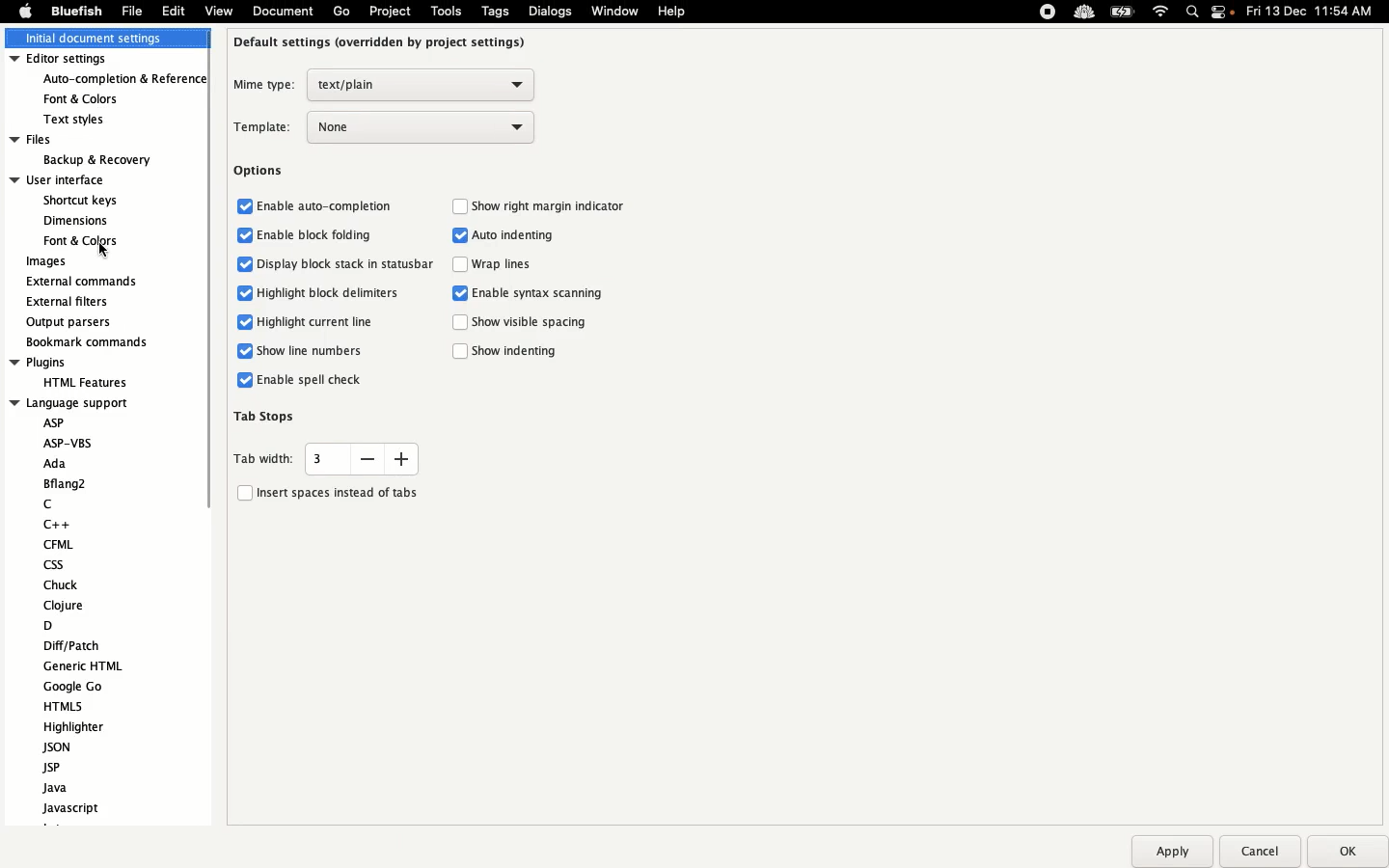 The image size is (1389, 868). What do you see at coordinates (73, 12) in the screenshot?
I see `Bluefish` at bounding box center [73, 12].